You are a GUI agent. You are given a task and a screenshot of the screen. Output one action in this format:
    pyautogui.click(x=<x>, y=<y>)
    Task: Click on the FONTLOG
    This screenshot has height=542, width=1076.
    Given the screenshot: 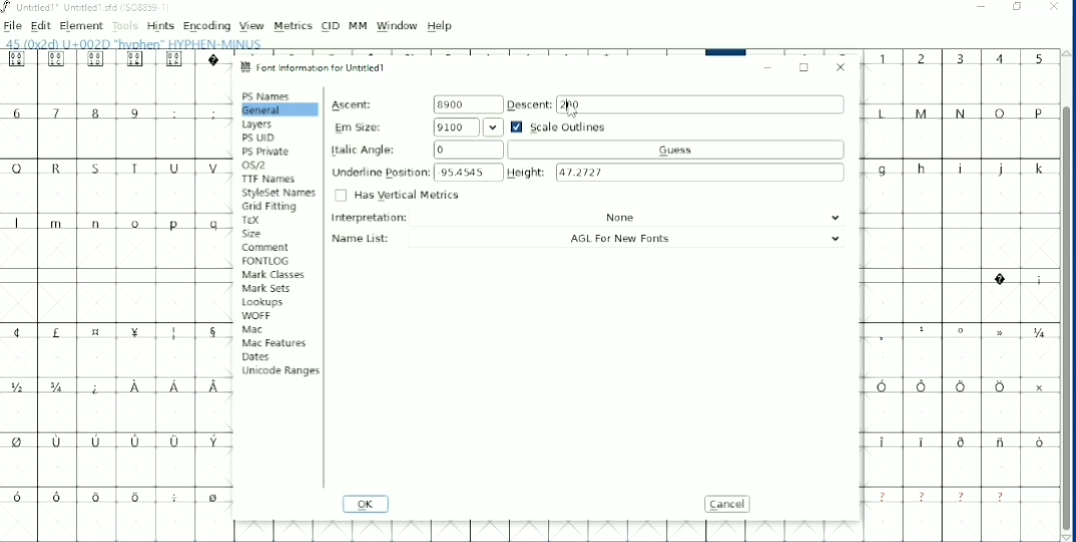 What is the action you would take?
    pyautogui.click(x=266, y=261)
    